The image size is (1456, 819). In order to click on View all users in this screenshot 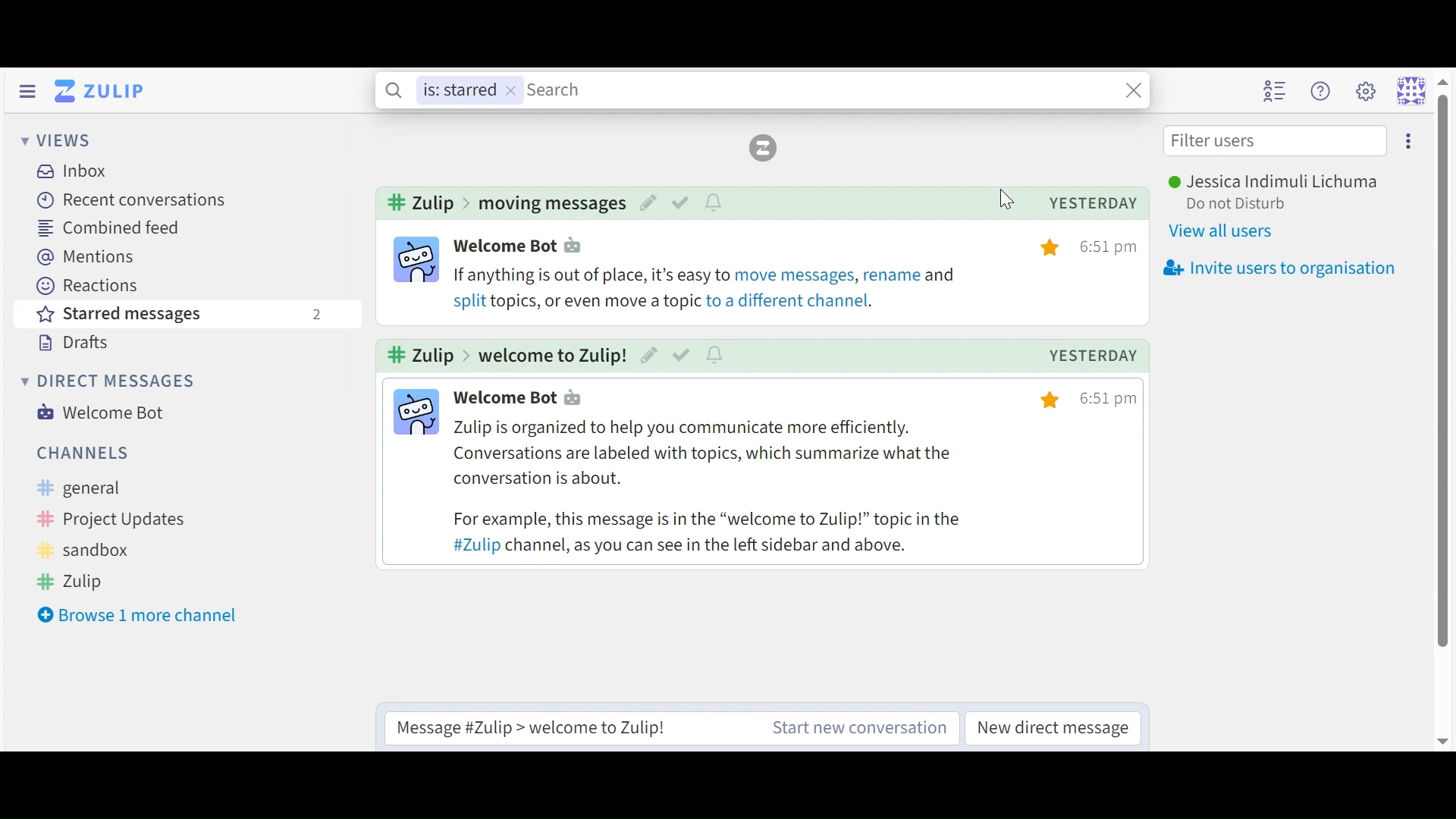, I will do `click(1227, 233)`.